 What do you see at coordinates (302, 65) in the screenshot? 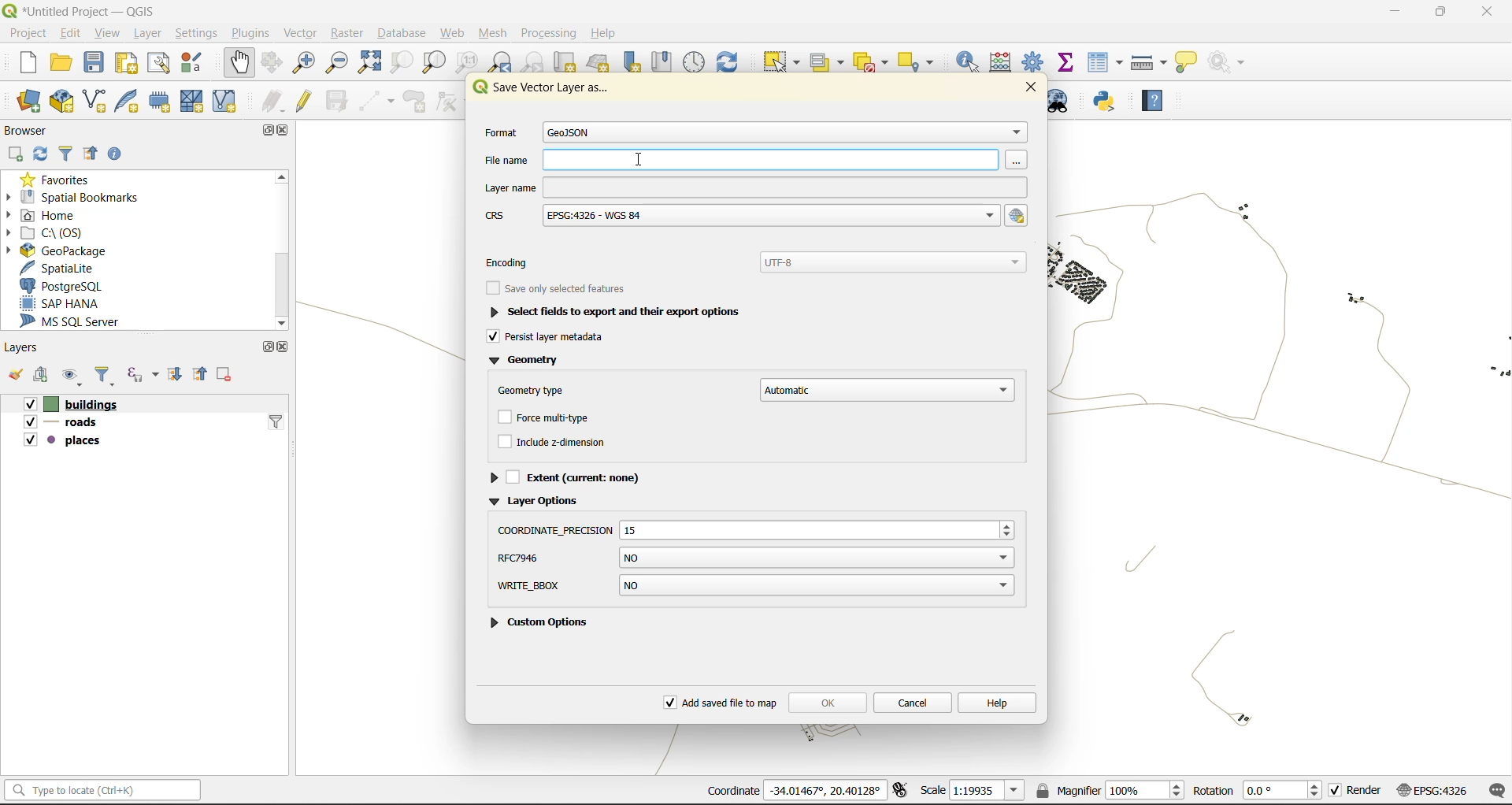
I see `zoom in` at bounding box center [302, 65].